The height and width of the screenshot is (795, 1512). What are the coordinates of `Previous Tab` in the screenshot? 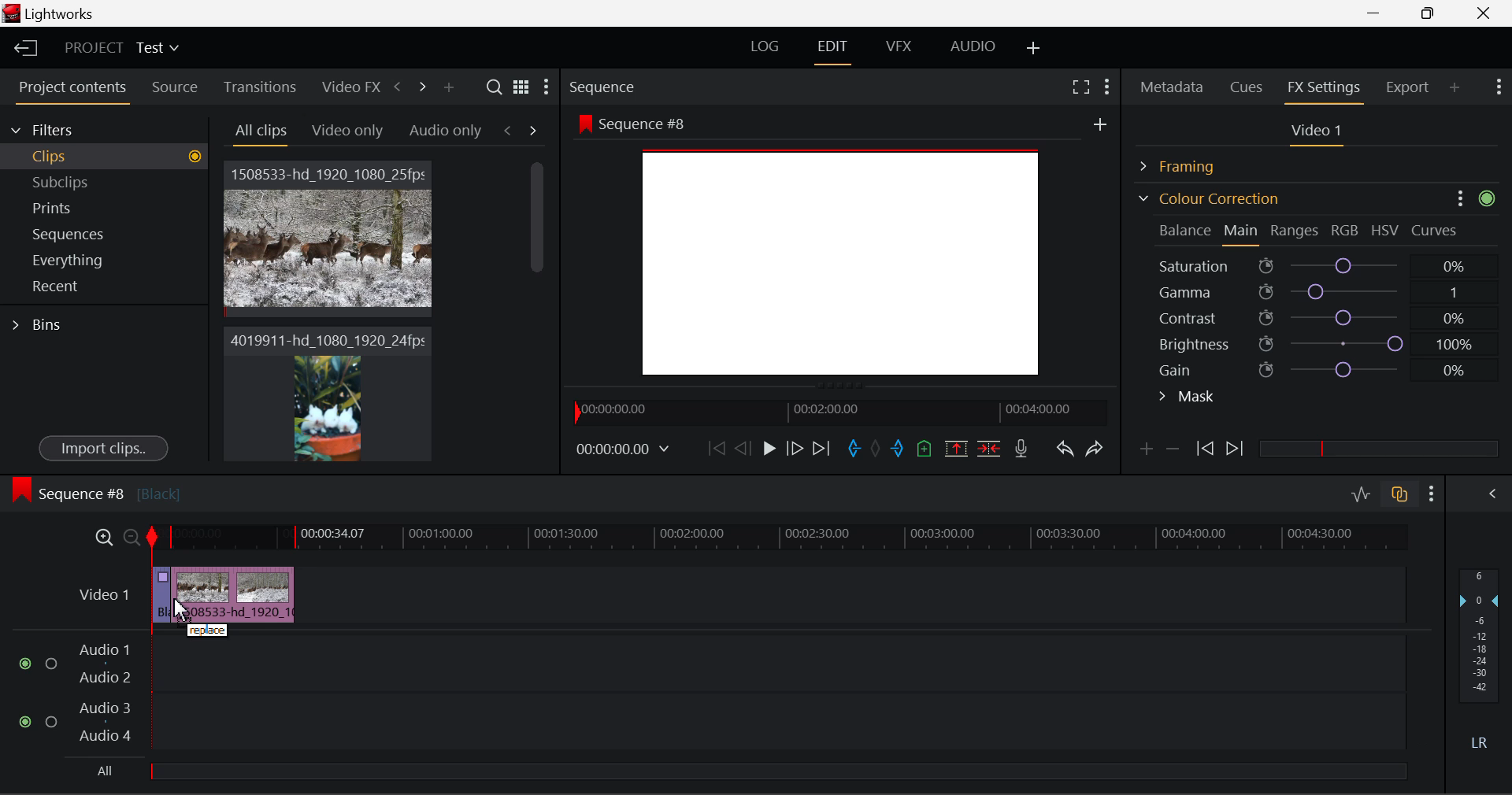 It's located at (510, 130).